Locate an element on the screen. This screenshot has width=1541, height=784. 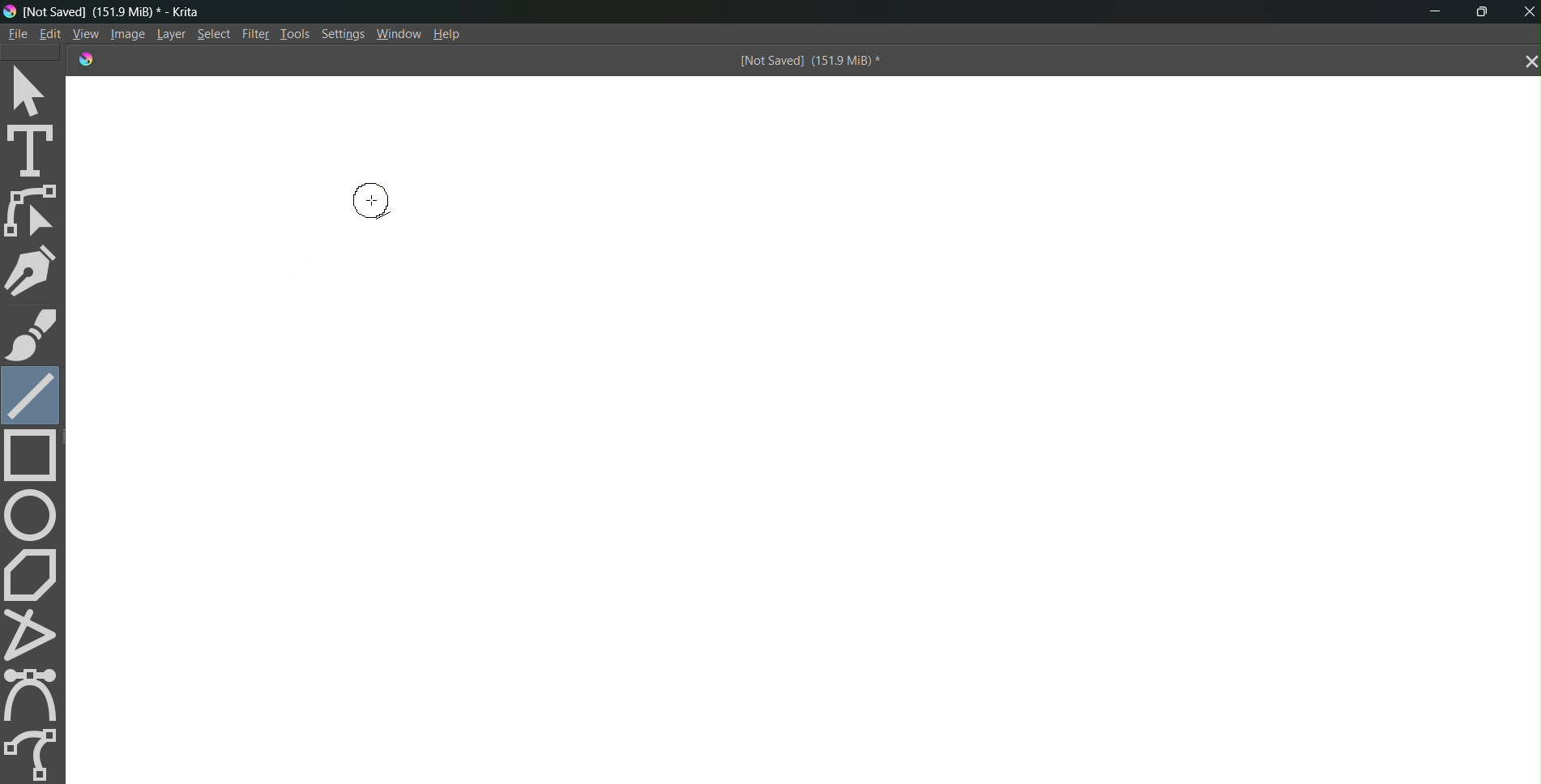
logo is located at coordinates (10, 11).